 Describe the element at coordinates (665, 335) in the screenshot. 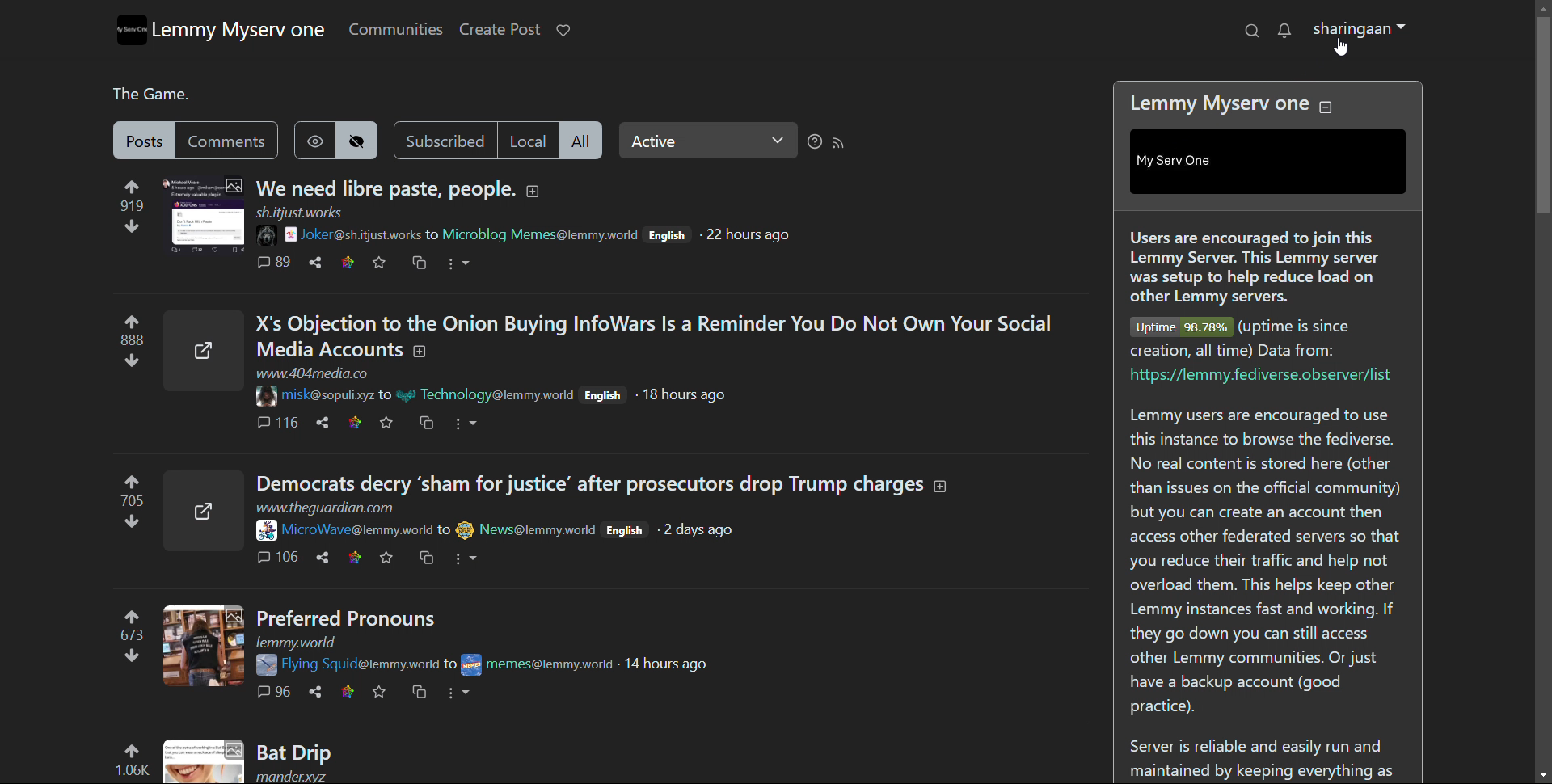

I see `X's Objection to the Onion Buying InfoWars Is a Reminder You Do Not Own Your Social Media Accounts` at that location.